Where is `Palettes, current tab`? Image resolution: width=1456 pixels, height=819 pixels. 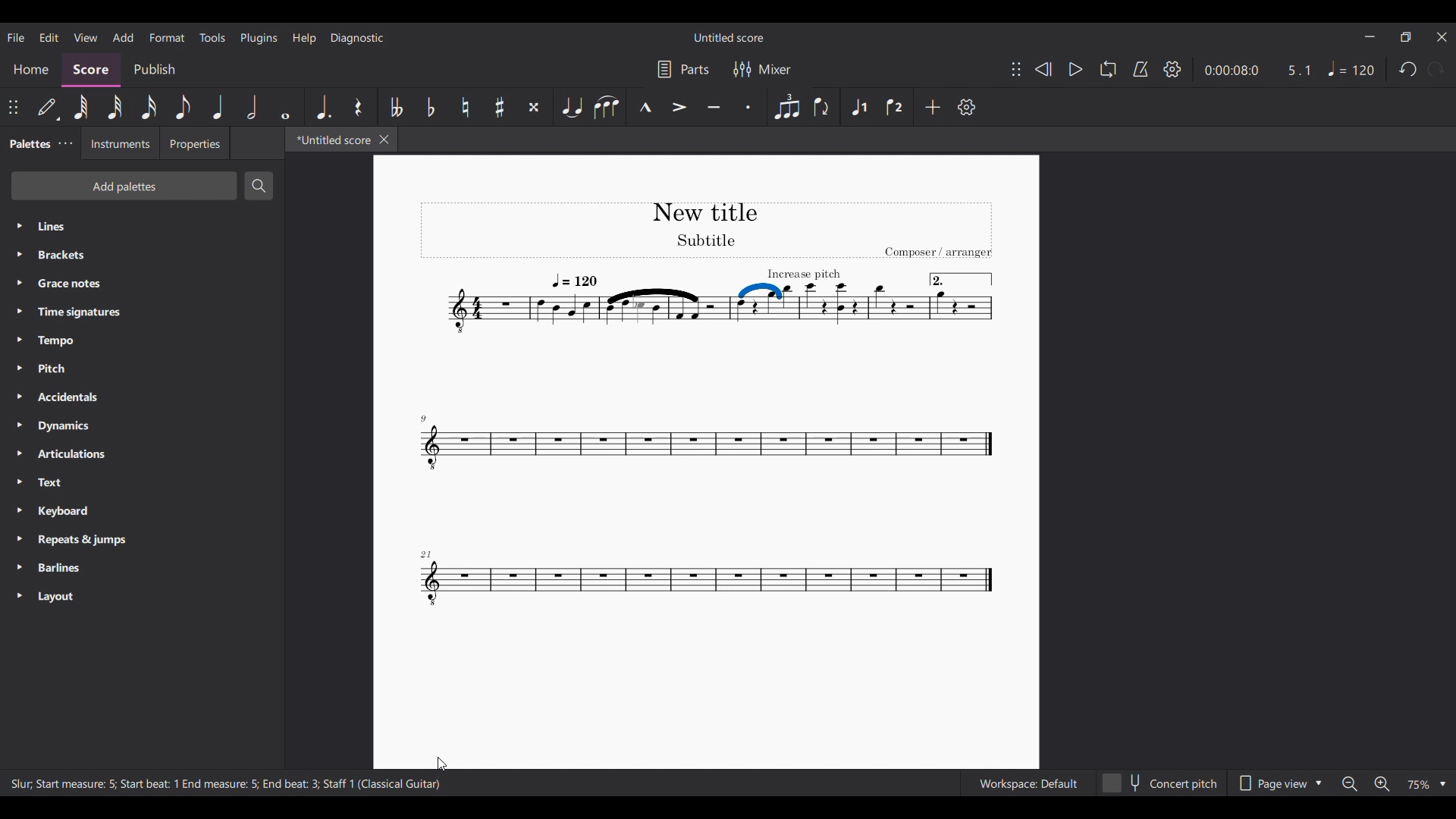
Palettes, current tab is located at coordinates (28, 144).